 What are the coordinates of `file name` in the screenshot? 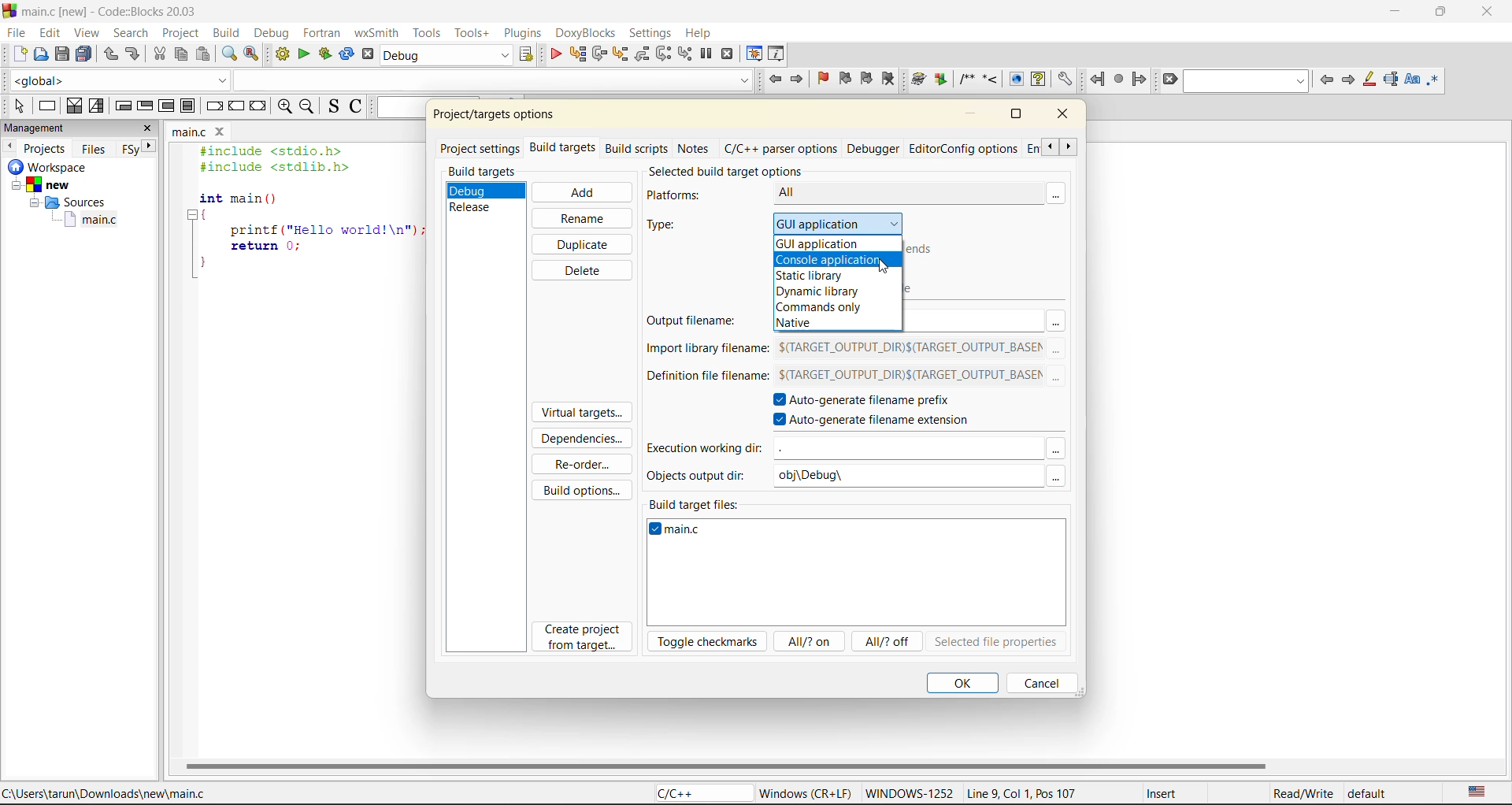 It's located at (680, 532).